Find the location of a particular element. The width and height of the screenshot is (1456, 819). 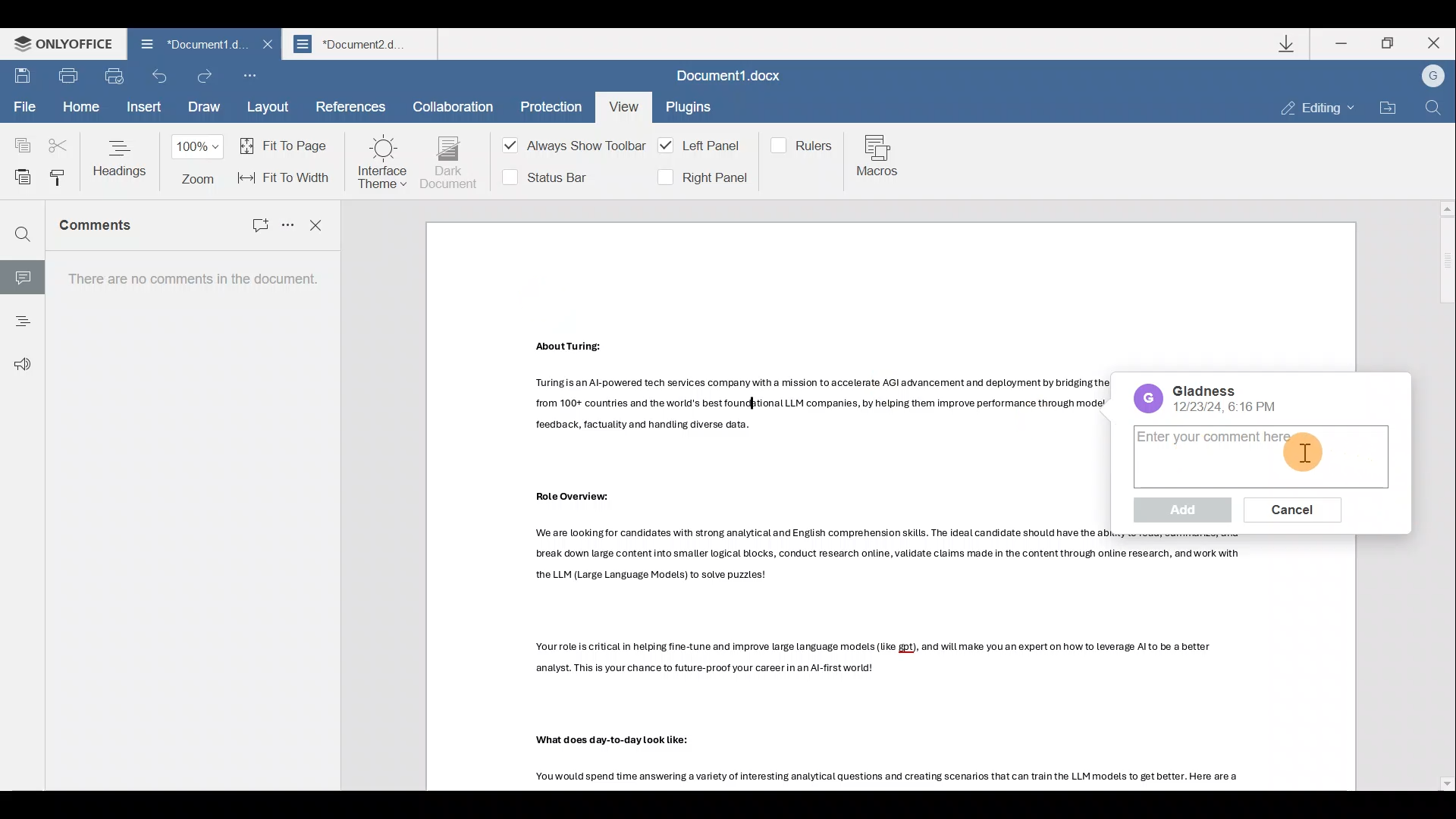

Maximize is located at coordinates (1391, 43).